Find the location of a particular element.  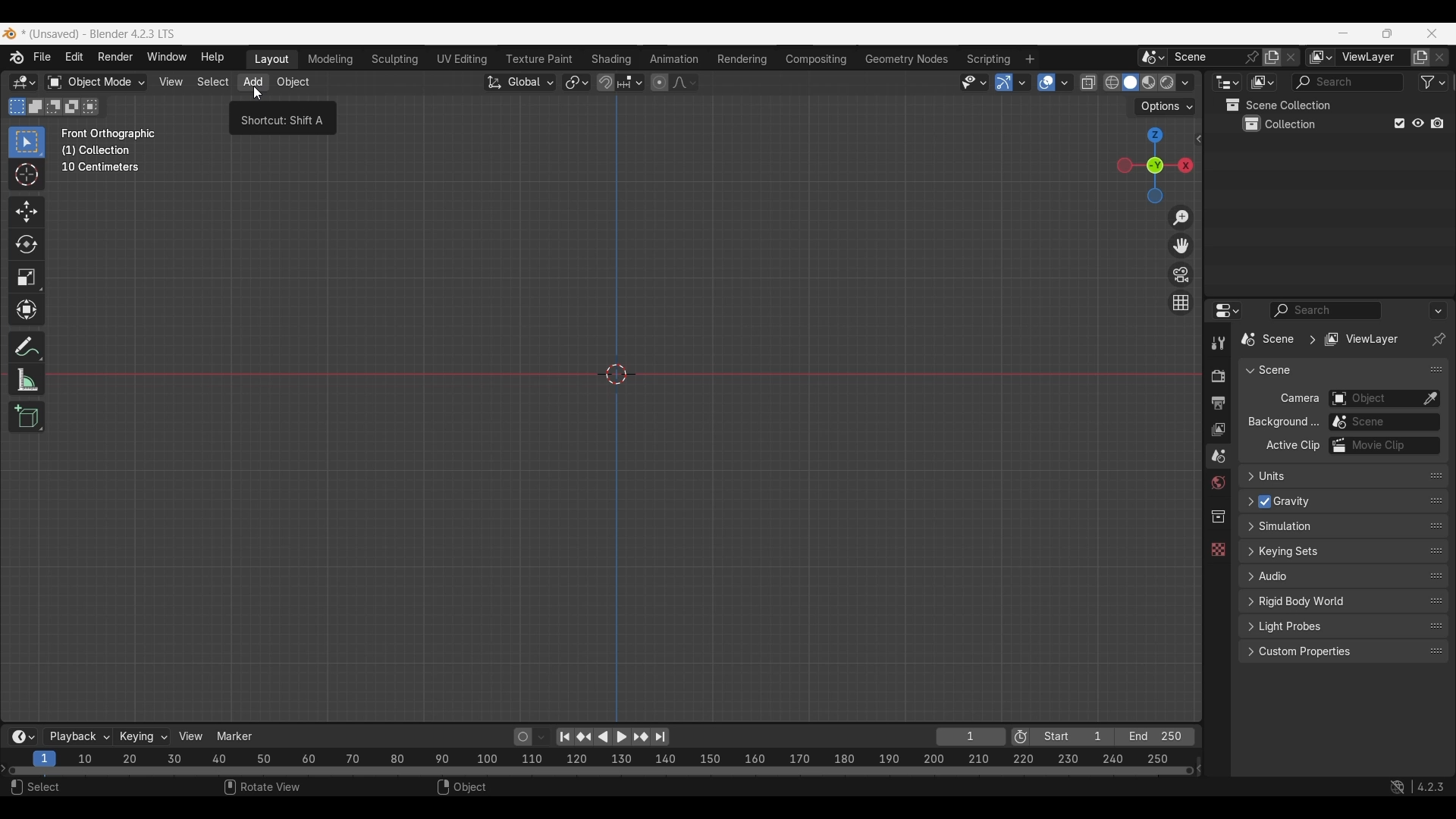

Jump to endpoint is located at coordinates (565, 737).